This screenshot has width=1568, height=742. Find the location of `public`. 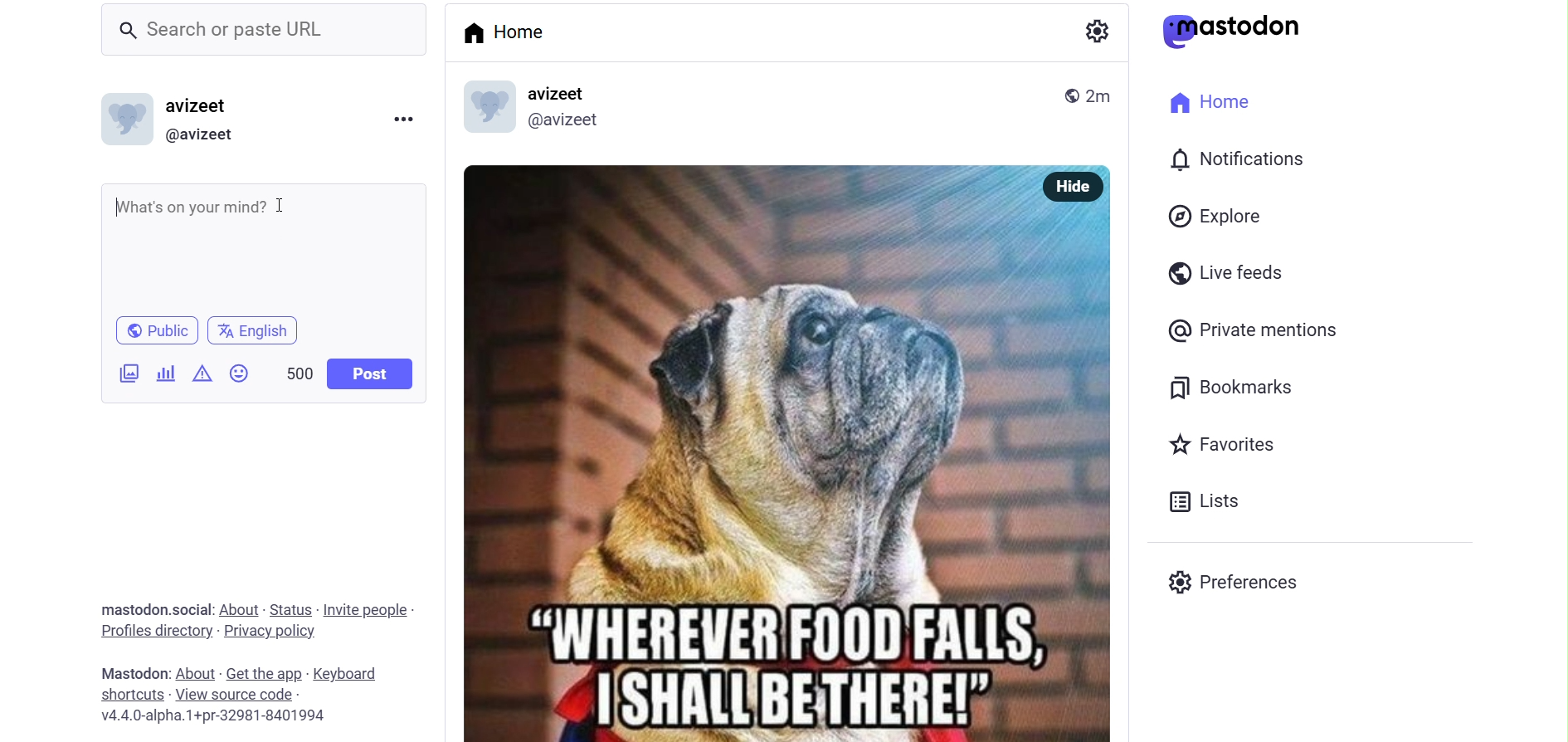

public is located at coordinates (153, 330).